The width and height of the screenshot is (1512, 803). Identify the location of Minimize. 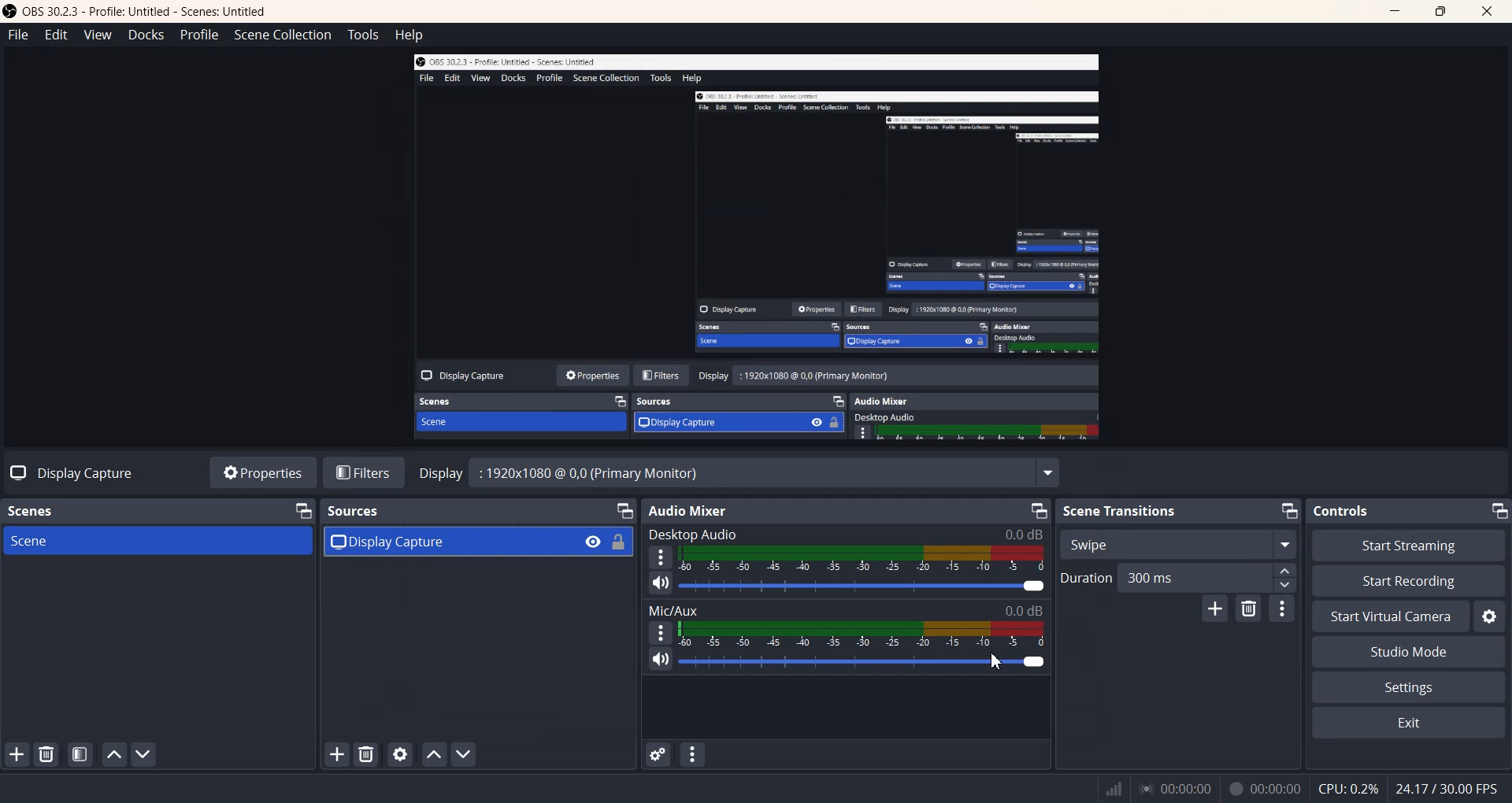
(302, 511).